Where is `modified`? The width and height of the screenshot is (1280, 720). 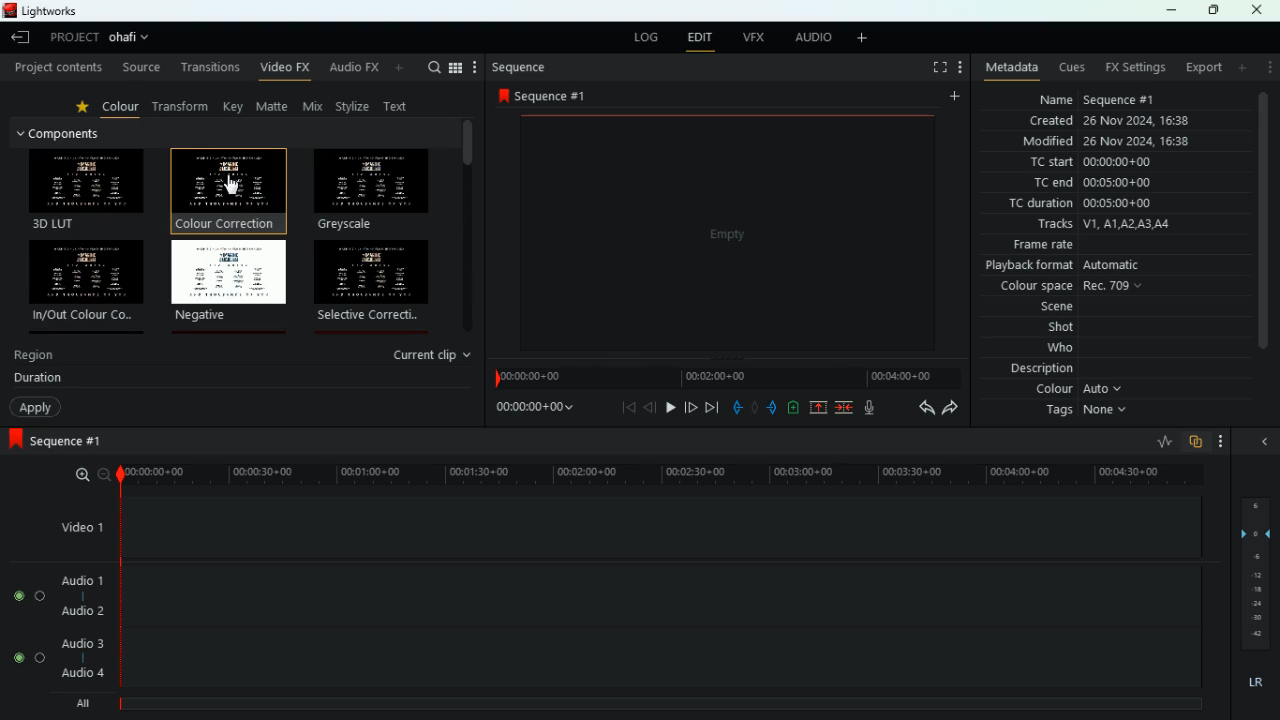
modified is located at coordinates (1109, 142).